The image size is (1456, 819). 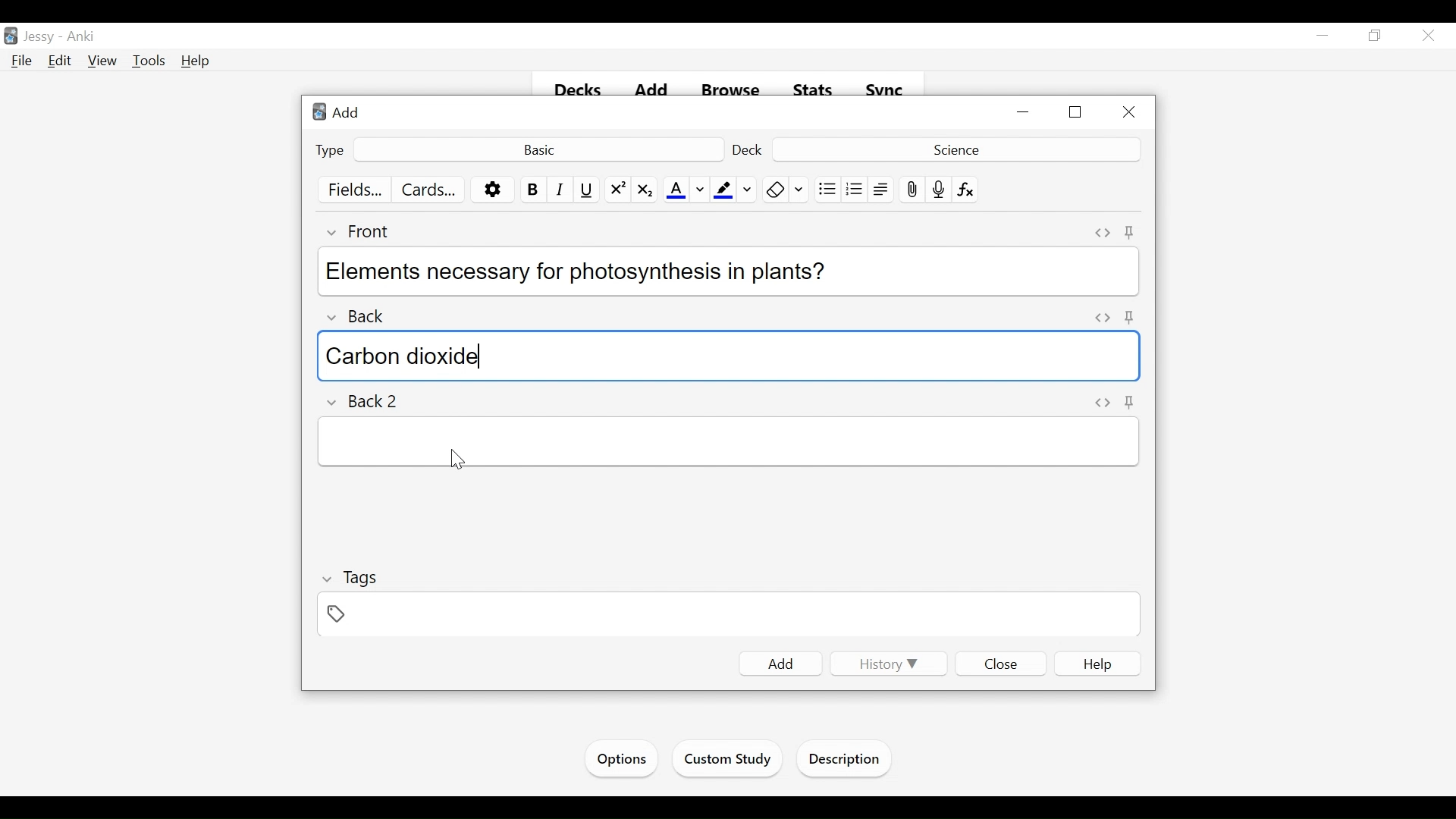 What do you see at coordinates (367, 231) in the screenshot?
I see `Front` at bounding box center [367, 231].